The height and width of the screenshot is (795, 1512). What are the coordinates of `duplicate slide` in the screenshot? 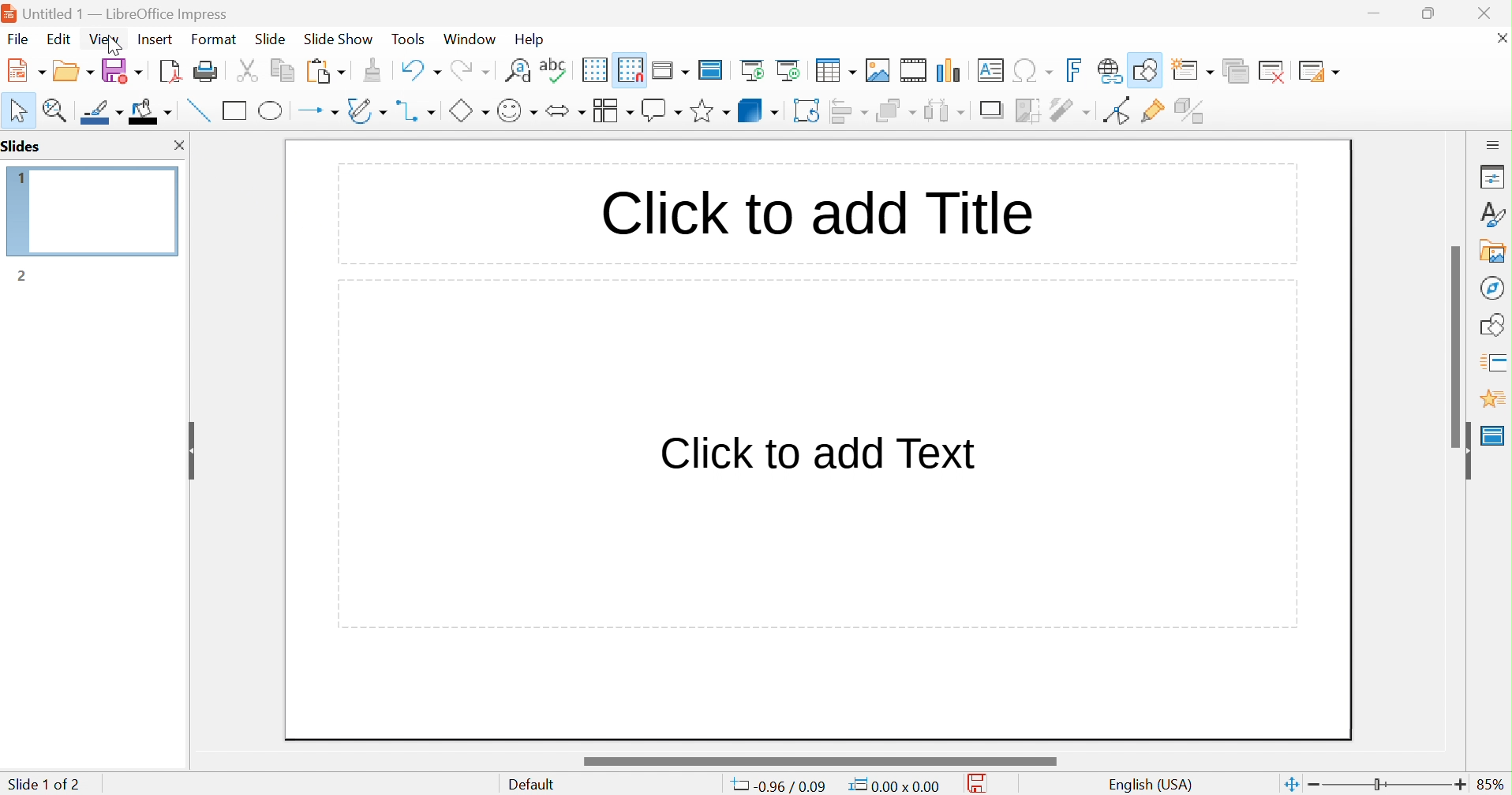 It's located at (1235, 71).